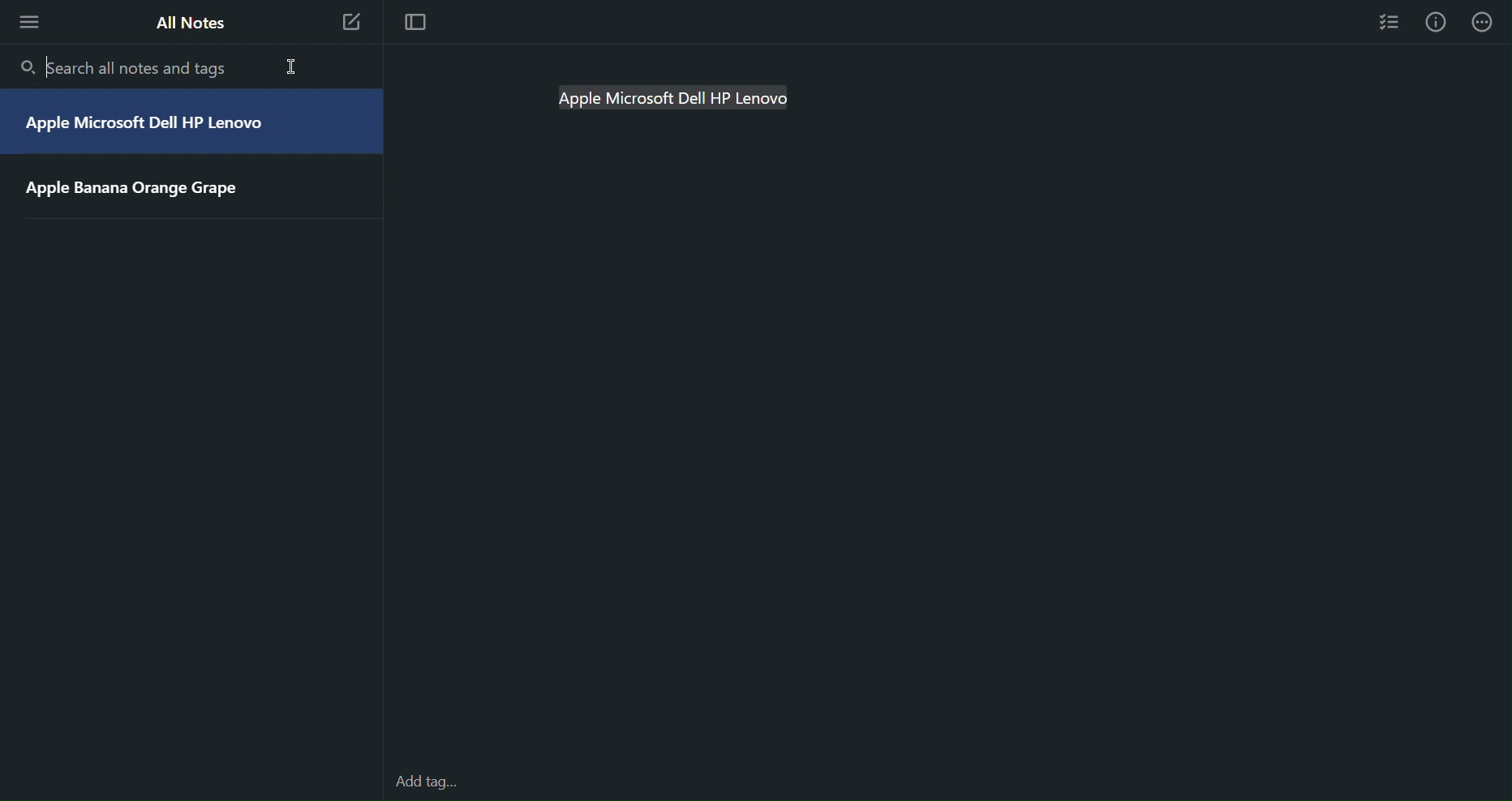 This screenshot has height=801, width=1512. Describe the element at coordinates (130, 65) in the screenshot. I see `Search all notes and tags` at that location.